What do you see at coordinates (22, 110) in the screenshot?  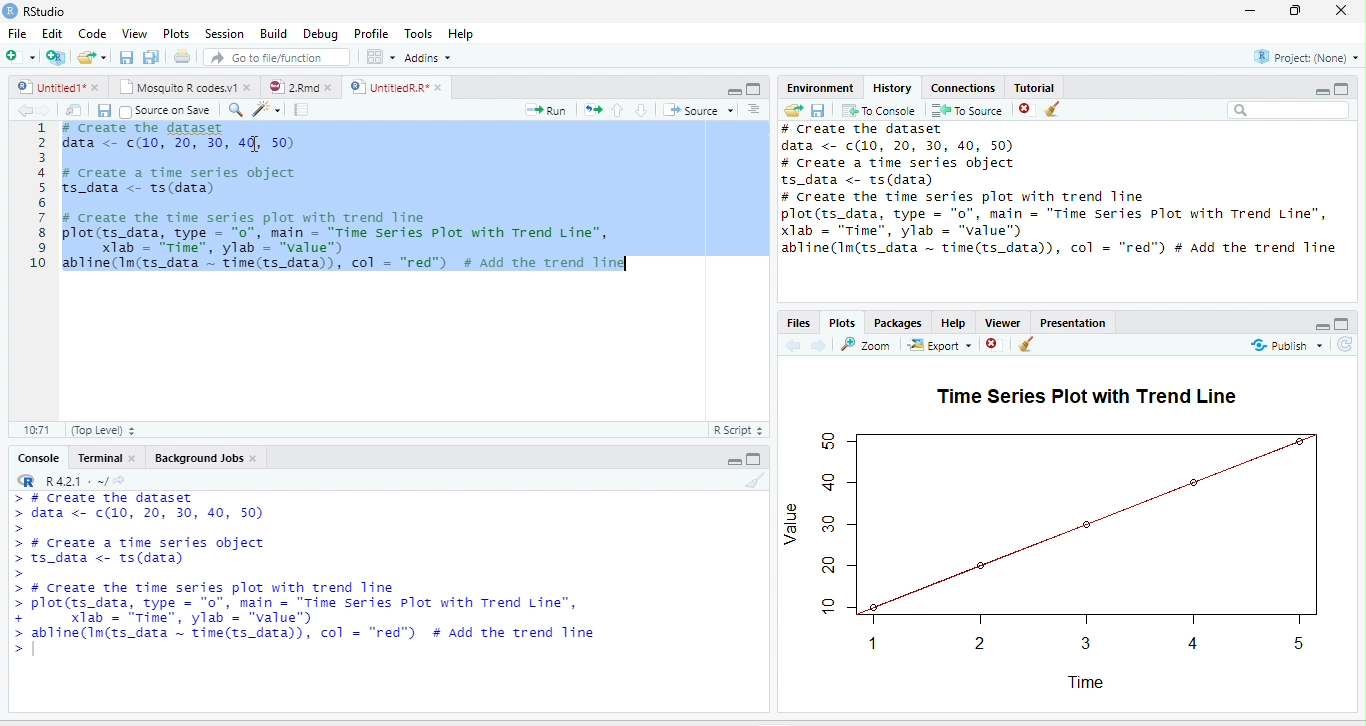 I see `Go back to previous source location` at bounding box center [22, 110].